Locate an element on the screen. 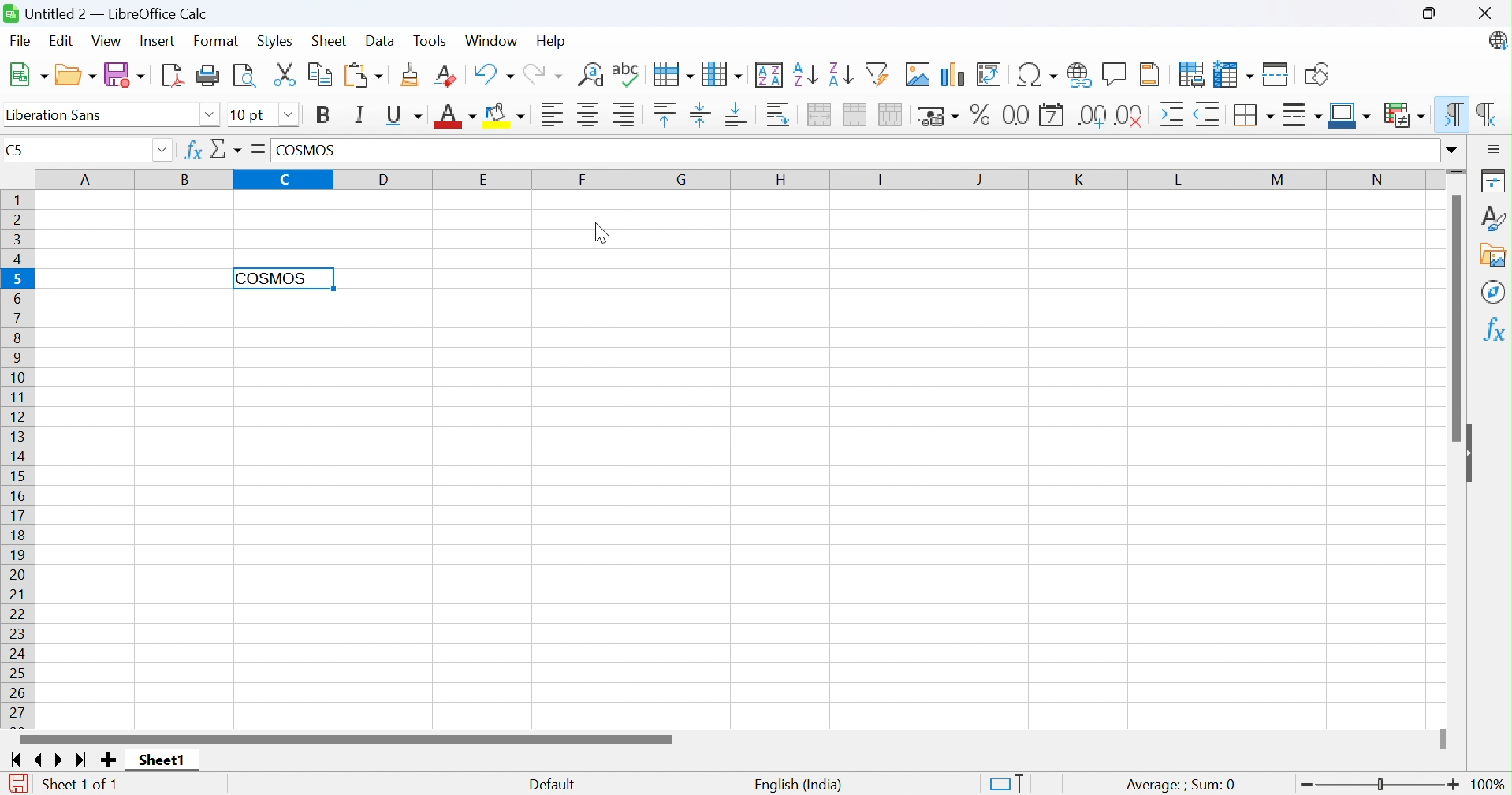 Image resolution: width=1512 pixels, height=795 pixels. Font color is located at coordinates (455, 118).